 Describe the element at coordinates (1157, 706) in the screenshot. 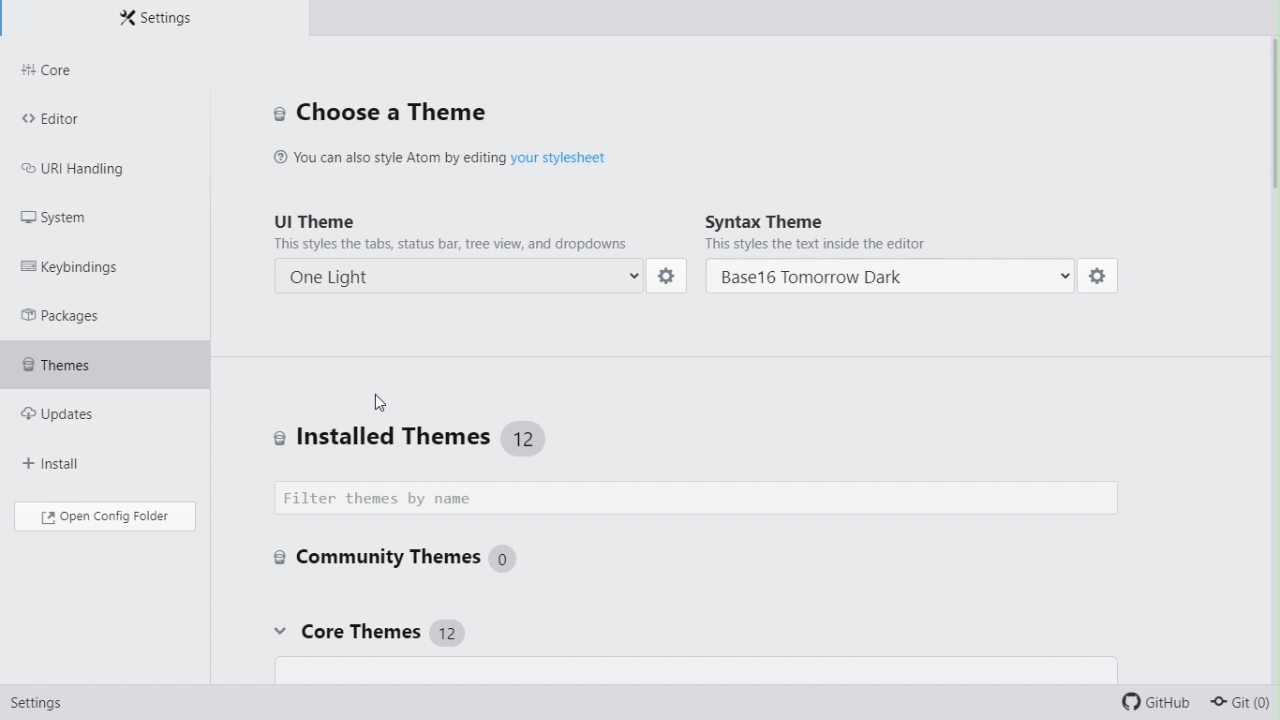

I see `github` at that location.